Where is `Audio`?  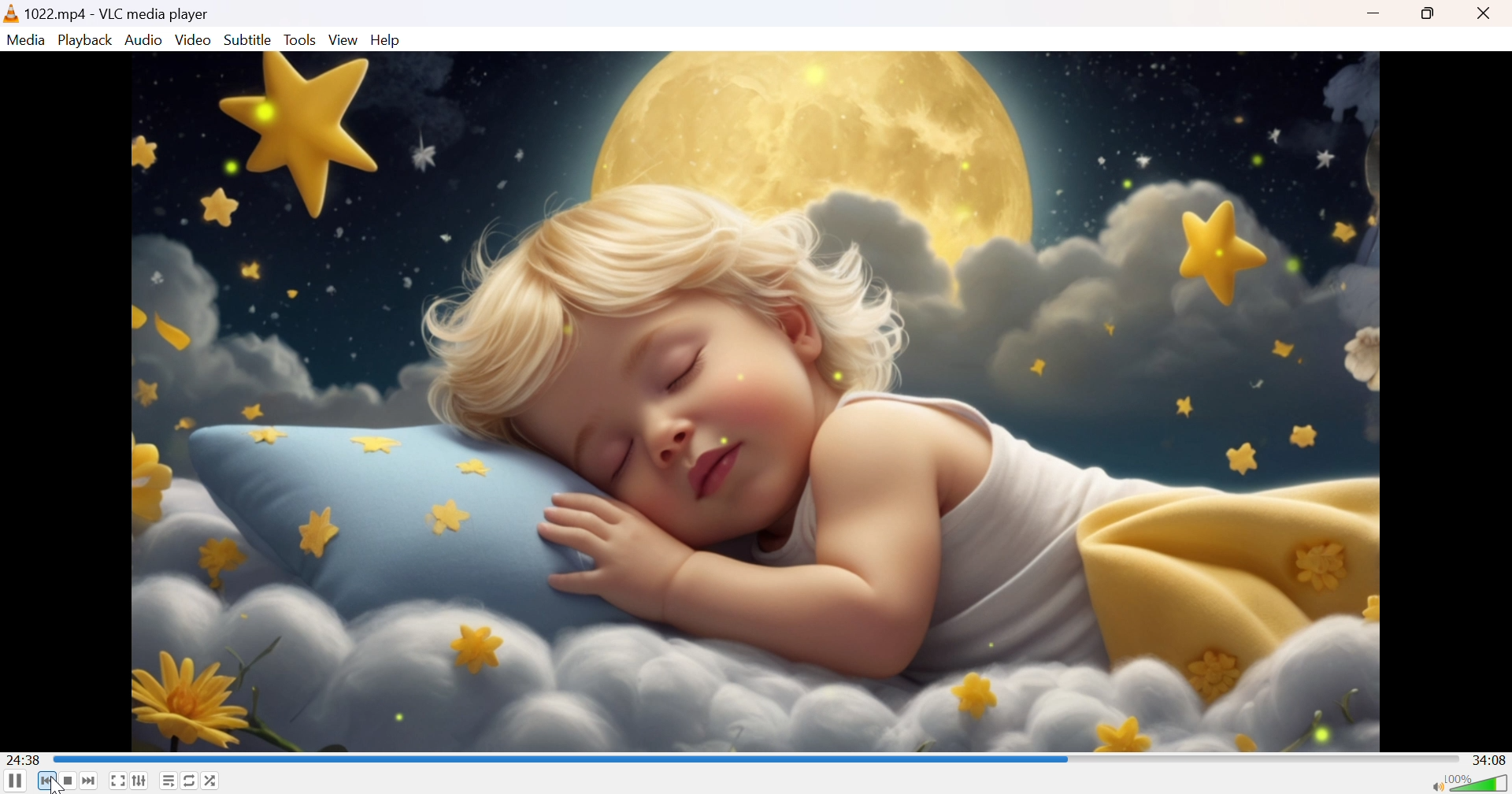
Audio is located at coordinates (146, 41).